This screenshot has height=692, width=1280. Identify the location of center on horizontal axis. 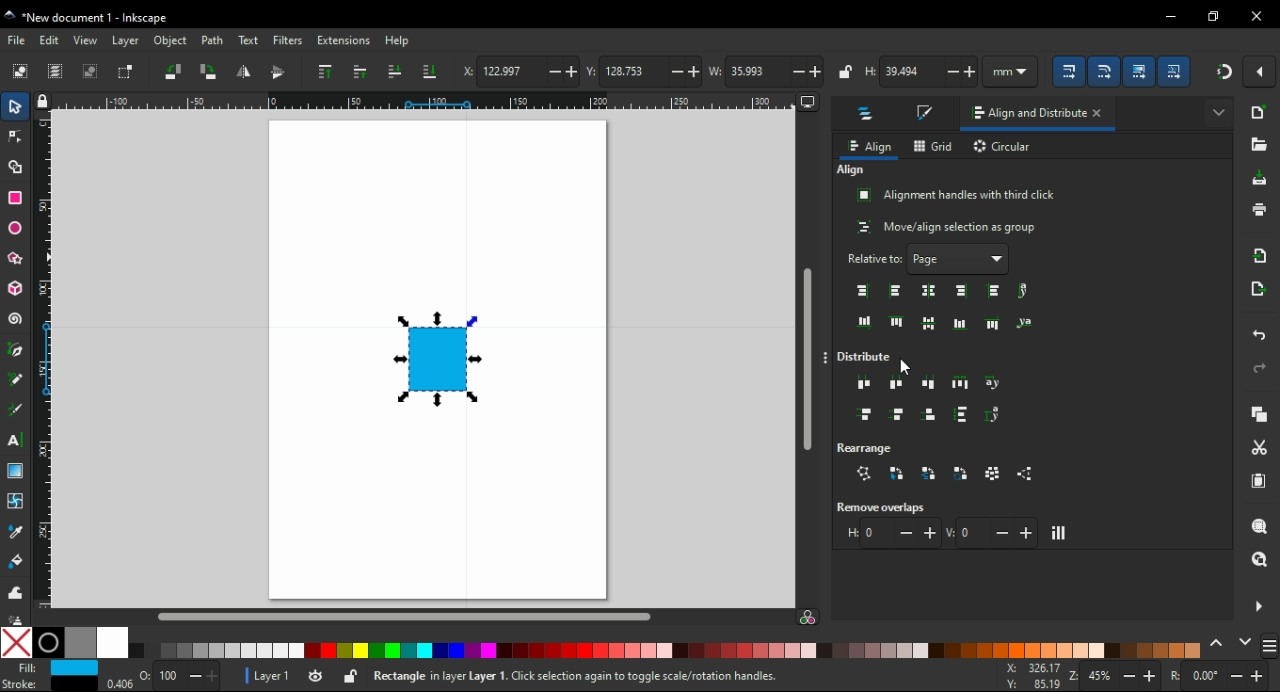
(960, 323).